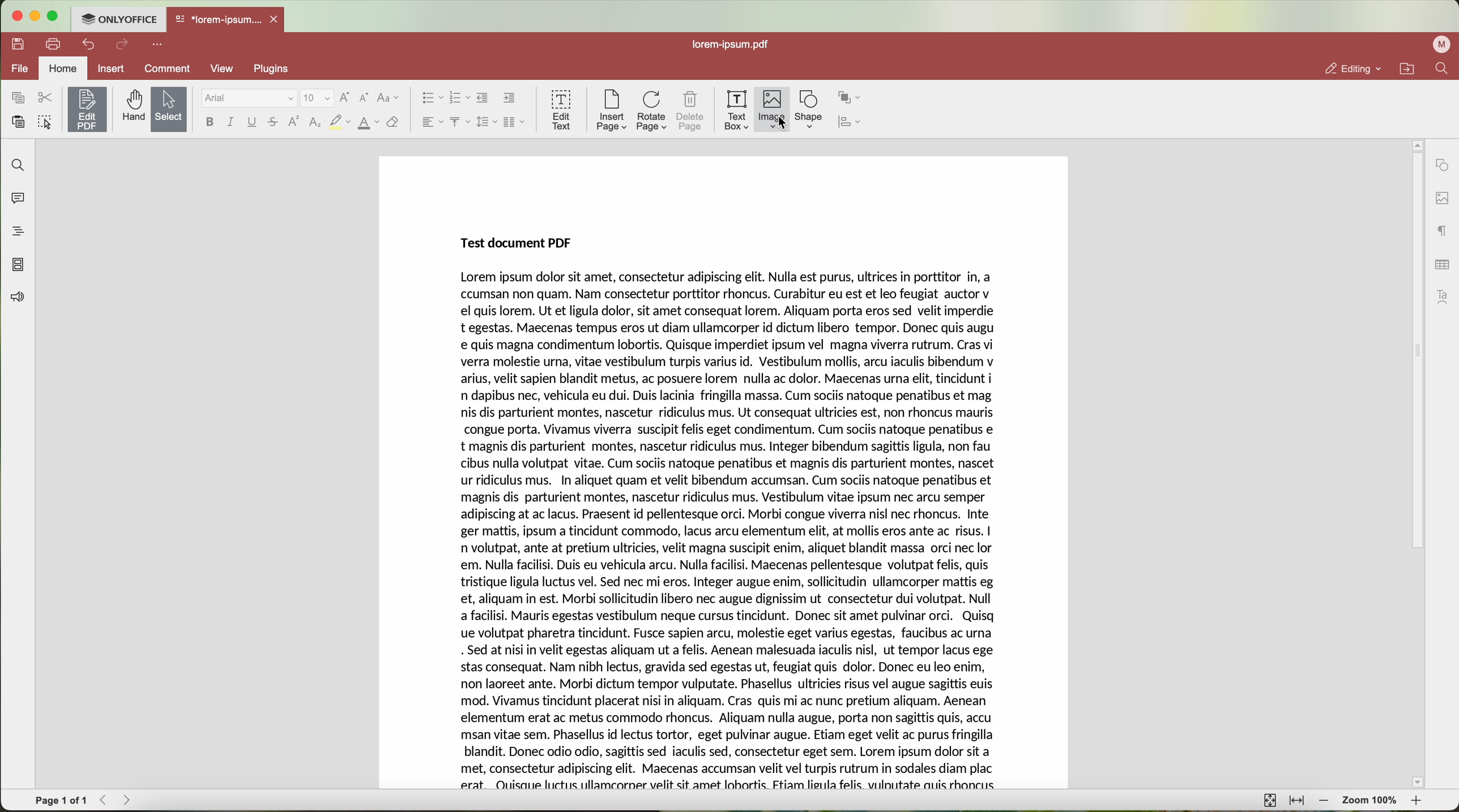 Image resolution: width=1459 pixels, height=812 pixels. I want to click on line spacing, so click(487, 122).